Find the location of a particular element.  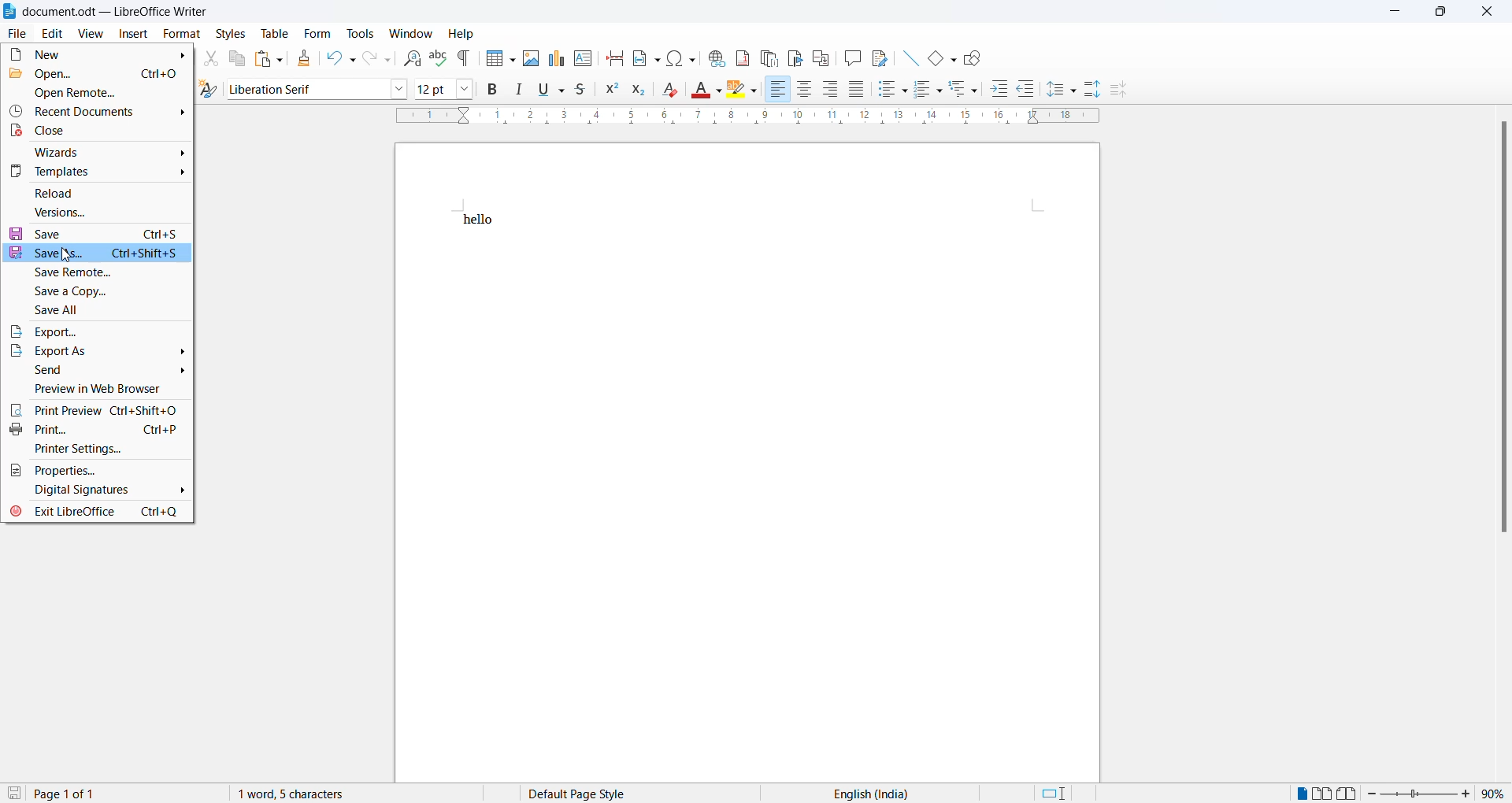

Font option is located at coordinates (399, 89).